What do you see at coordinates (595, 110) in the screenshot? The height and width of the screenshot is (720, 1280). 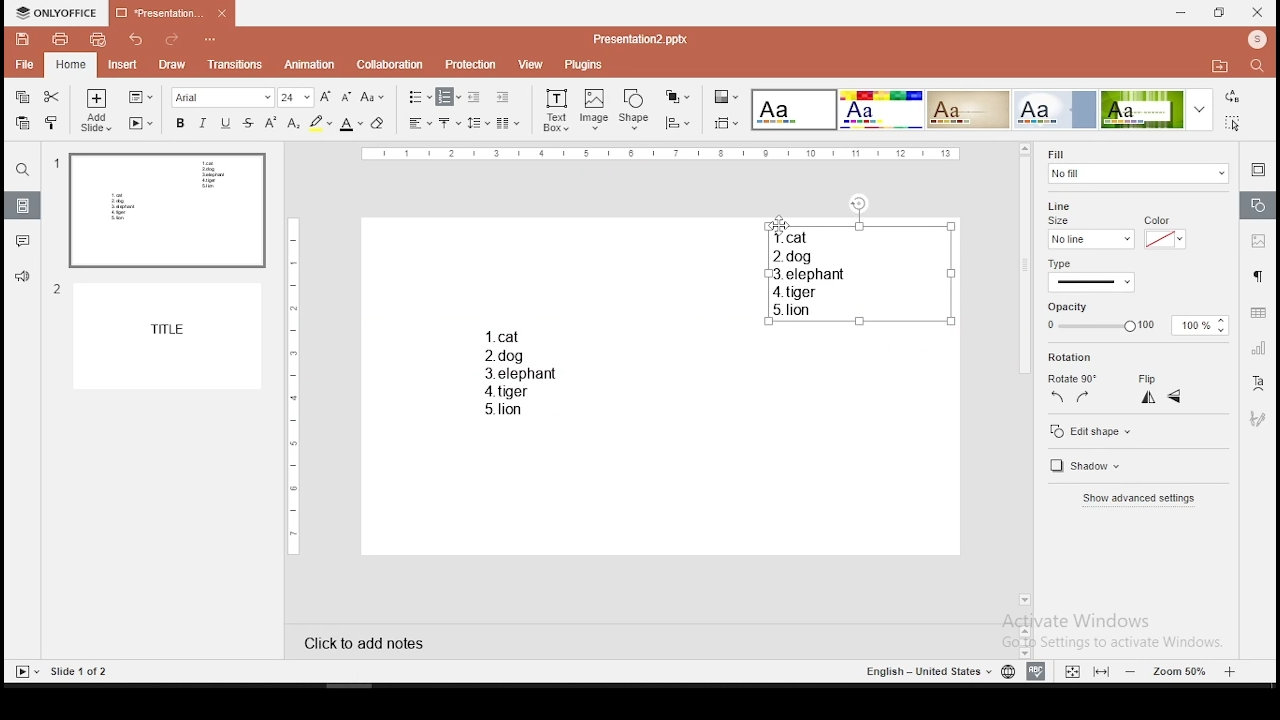 I see `image` at bounding box center [595, 110].